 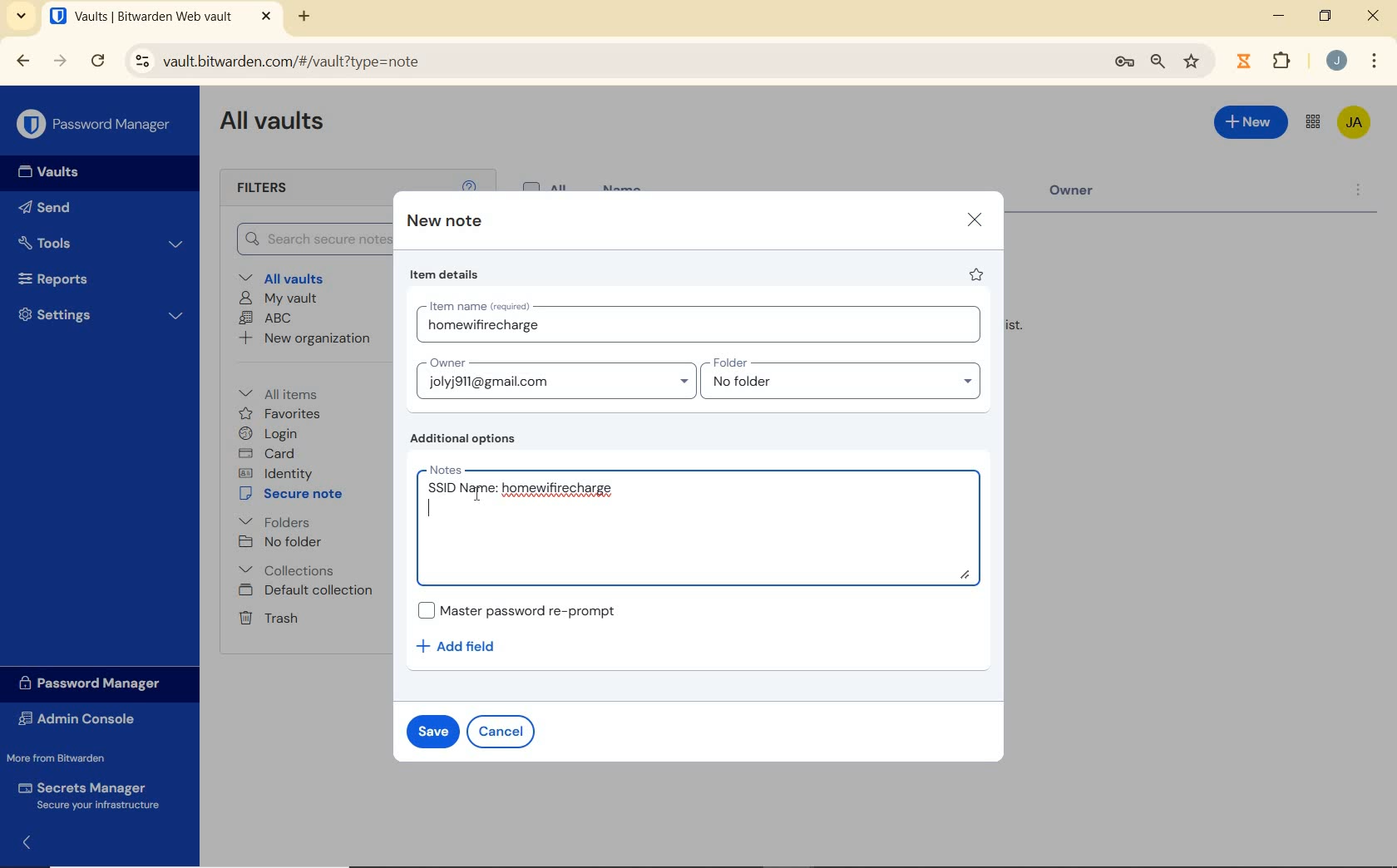 I want to click on reload, so click(x=97, y=62).